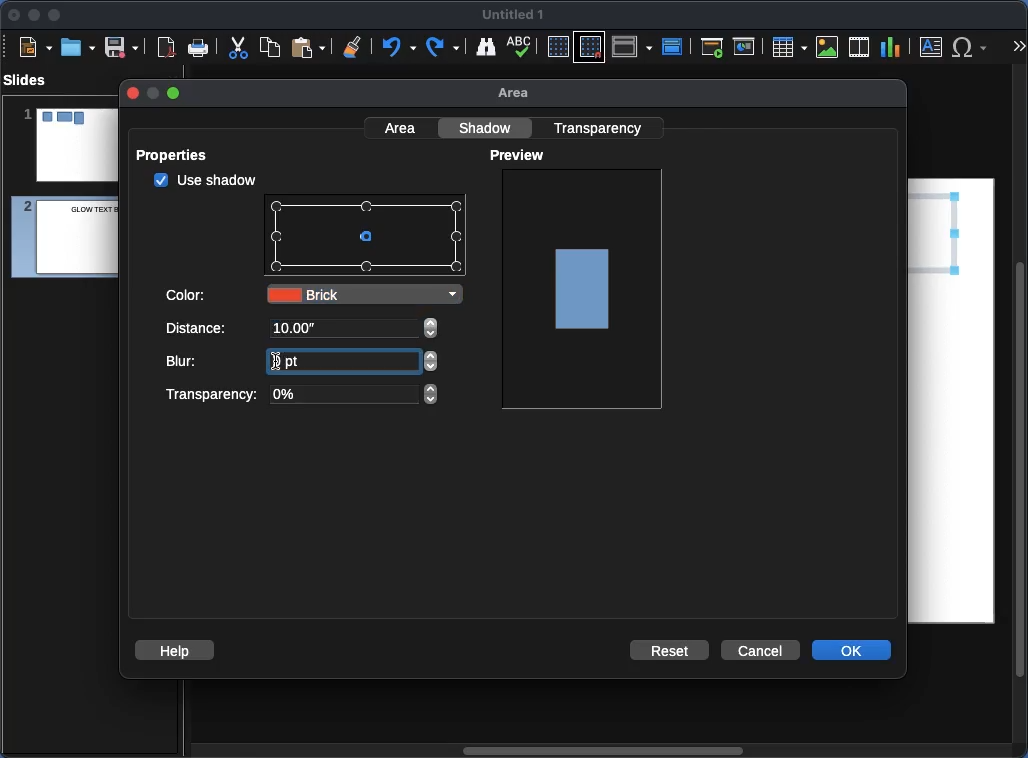 This screenshot has width=1028, height=758. What do you see at coordinates (131, 93) in the screenshot?
I see `close` at bounding box center [131, 93].